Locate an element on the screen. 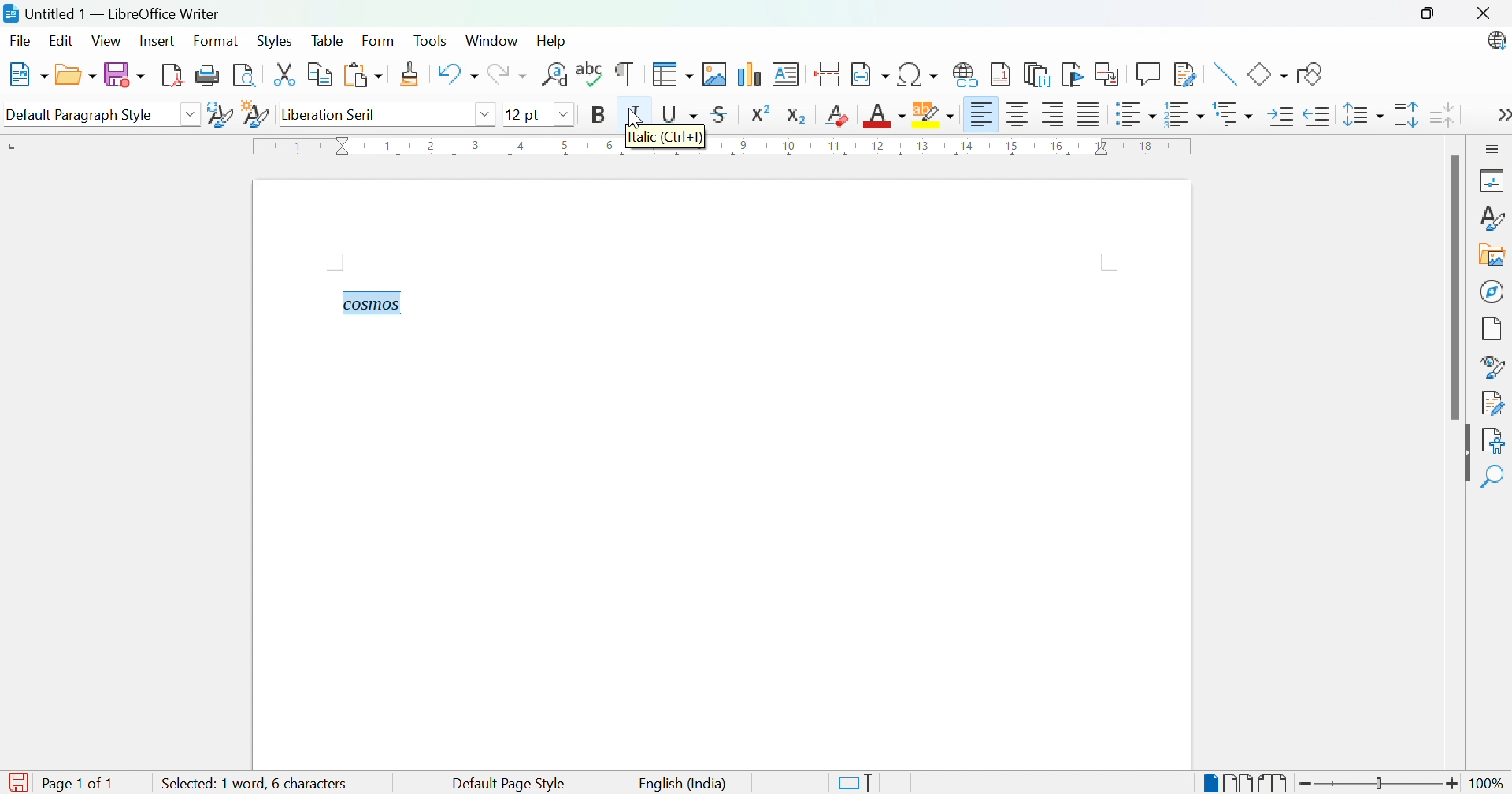 The height and width of the screenshot is (794, 1512). LibreOffice update available is located at coordinates (1491, 43).